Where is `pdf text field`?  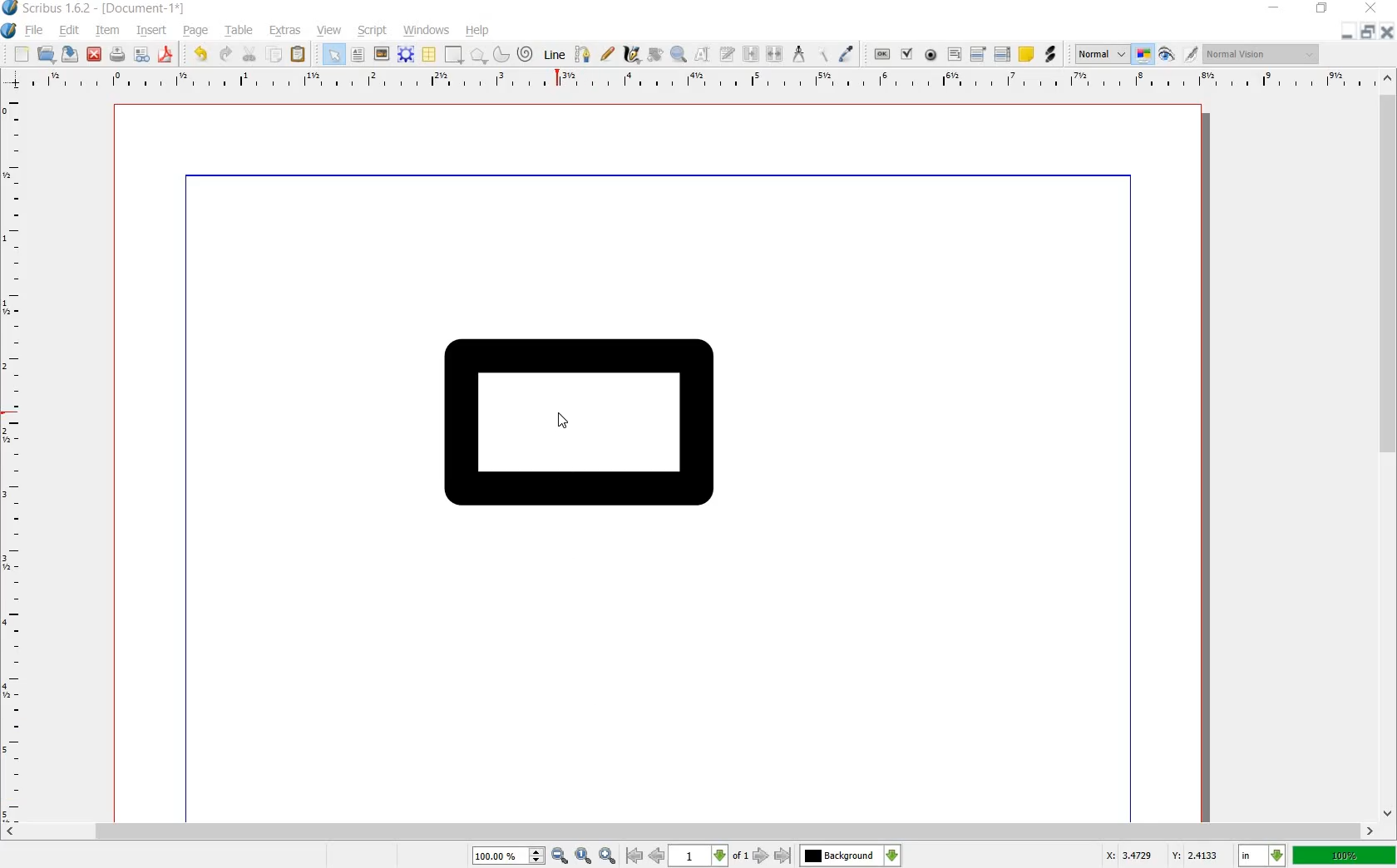 pdf text field is located at coordinates (955, 55).